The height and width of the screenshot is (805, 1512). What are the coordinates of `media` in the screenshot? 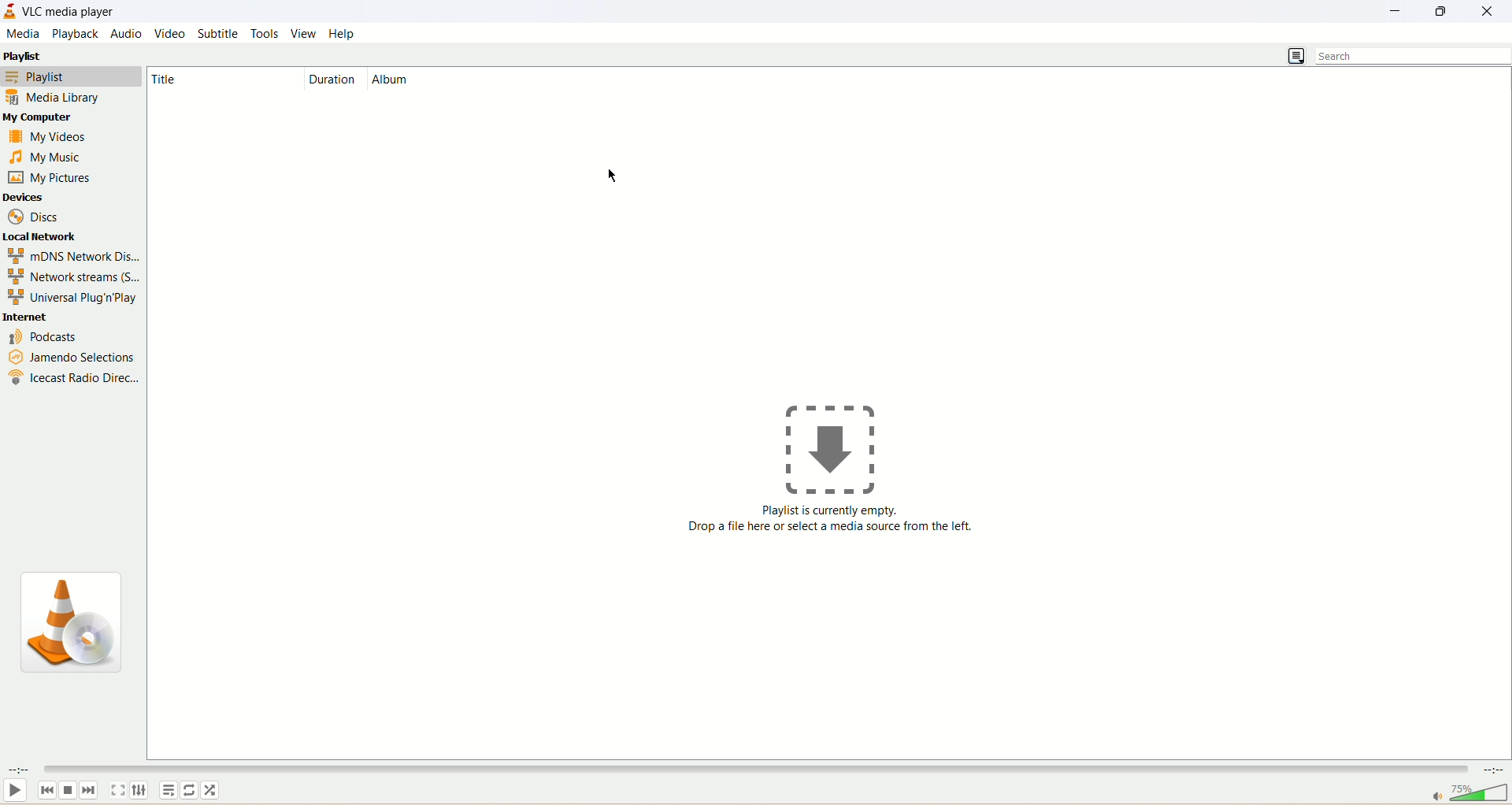 It's located at (23, 35).